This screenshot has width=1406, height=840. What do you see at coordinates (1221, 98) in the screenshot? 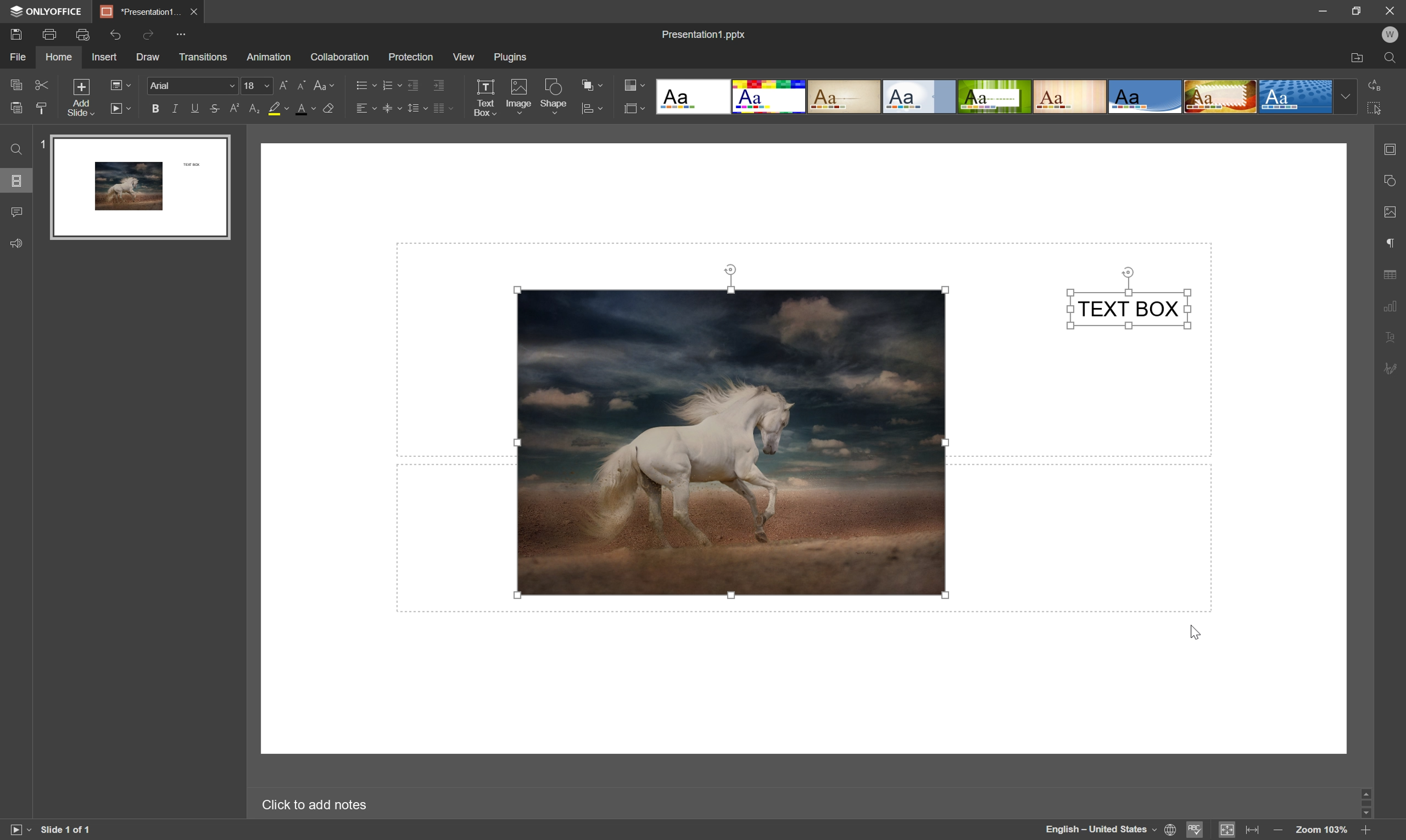
I see `Safari` at bounding box center [1221, 98].